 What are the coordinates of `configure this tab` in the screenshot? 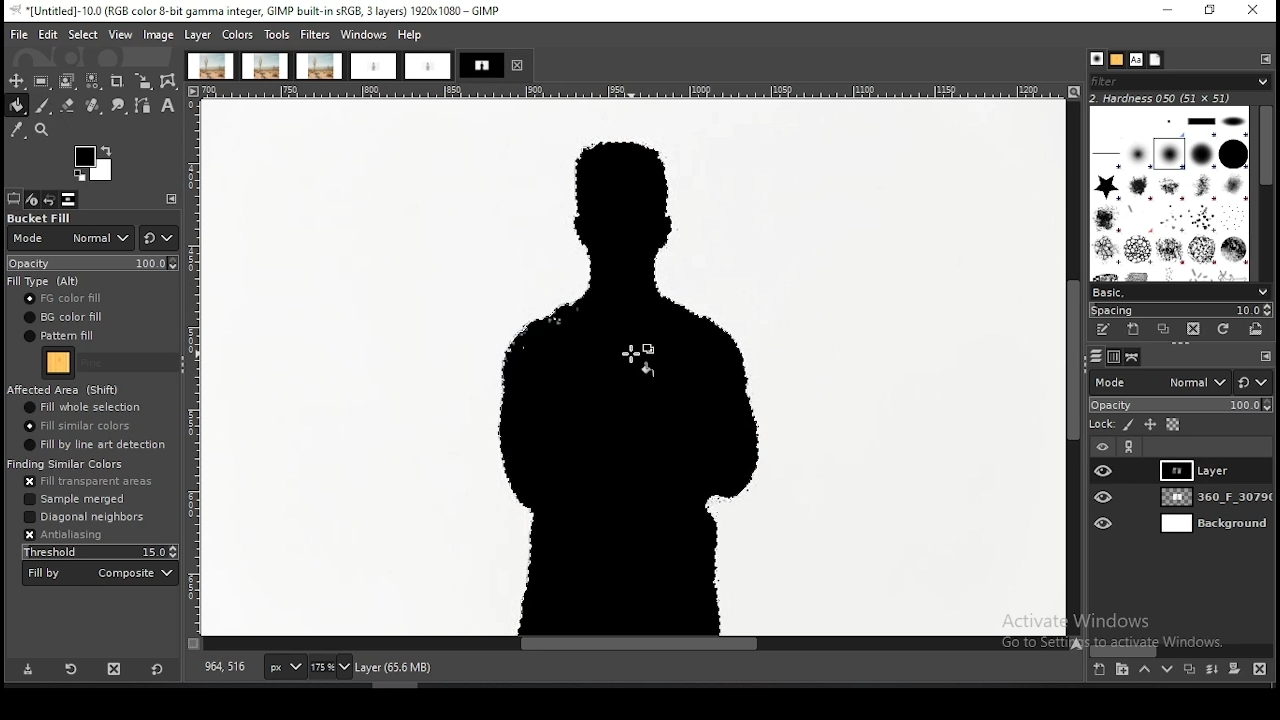 It's located at (1264, 356).